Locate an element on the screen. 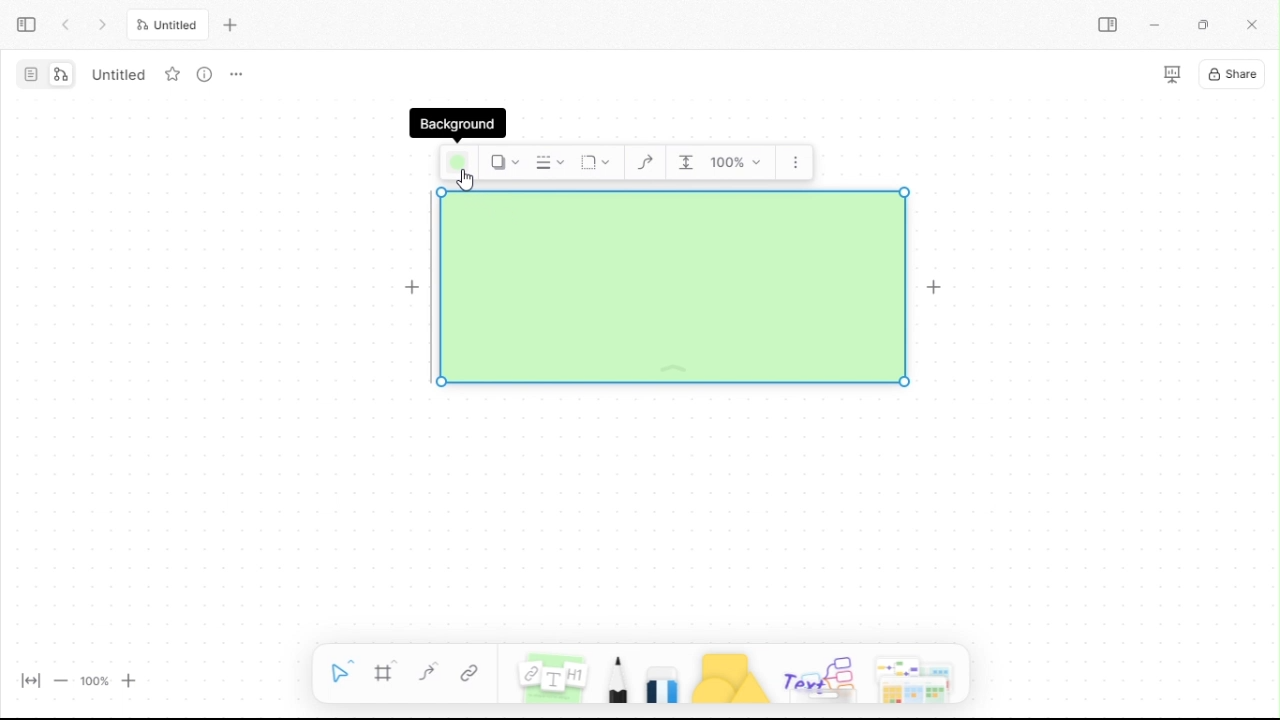 This screenshot has width=1280, height=720. more shapes is located at coordinates (919, 673).